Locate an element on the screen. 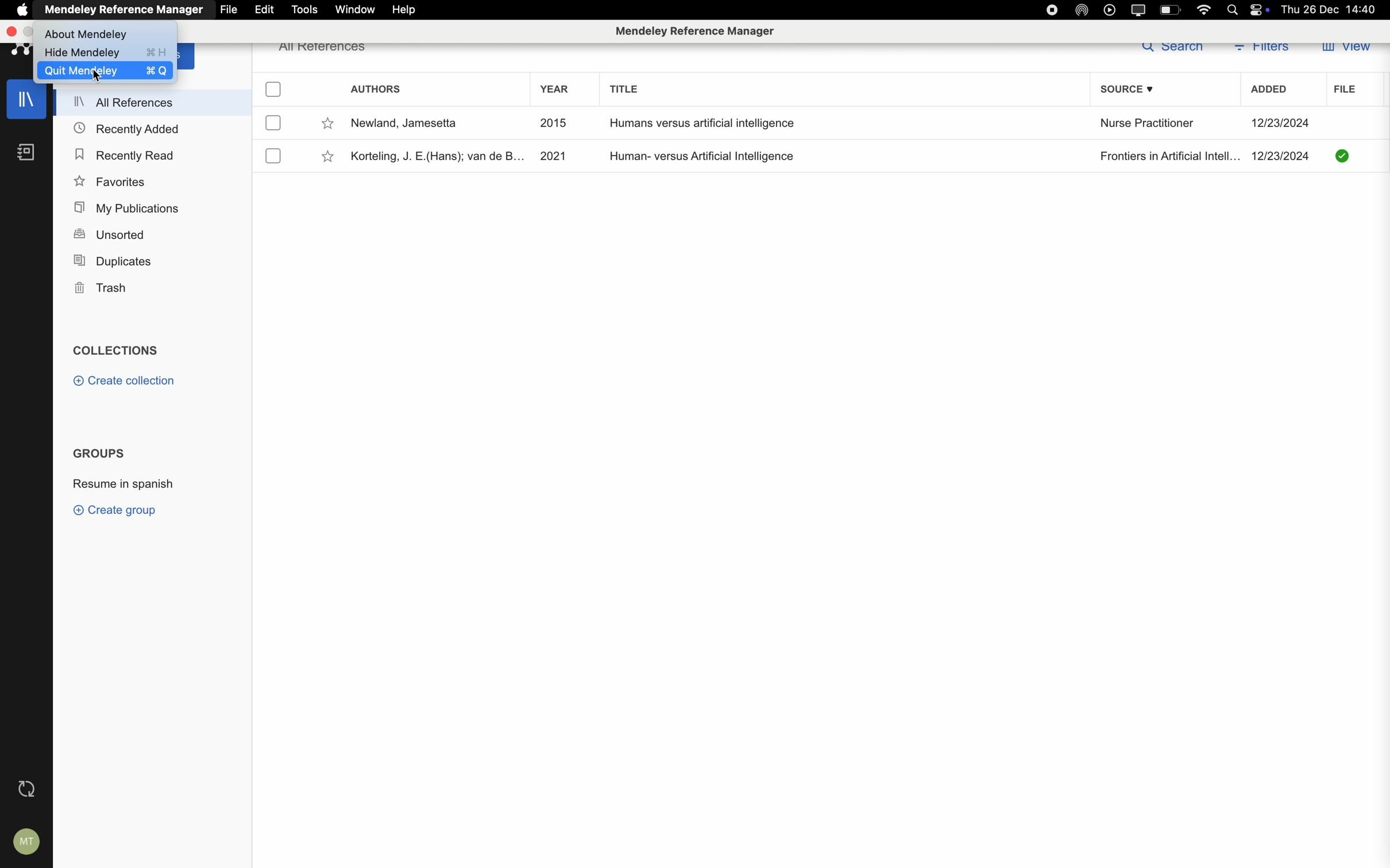  help is located at coordinates (406, 9).